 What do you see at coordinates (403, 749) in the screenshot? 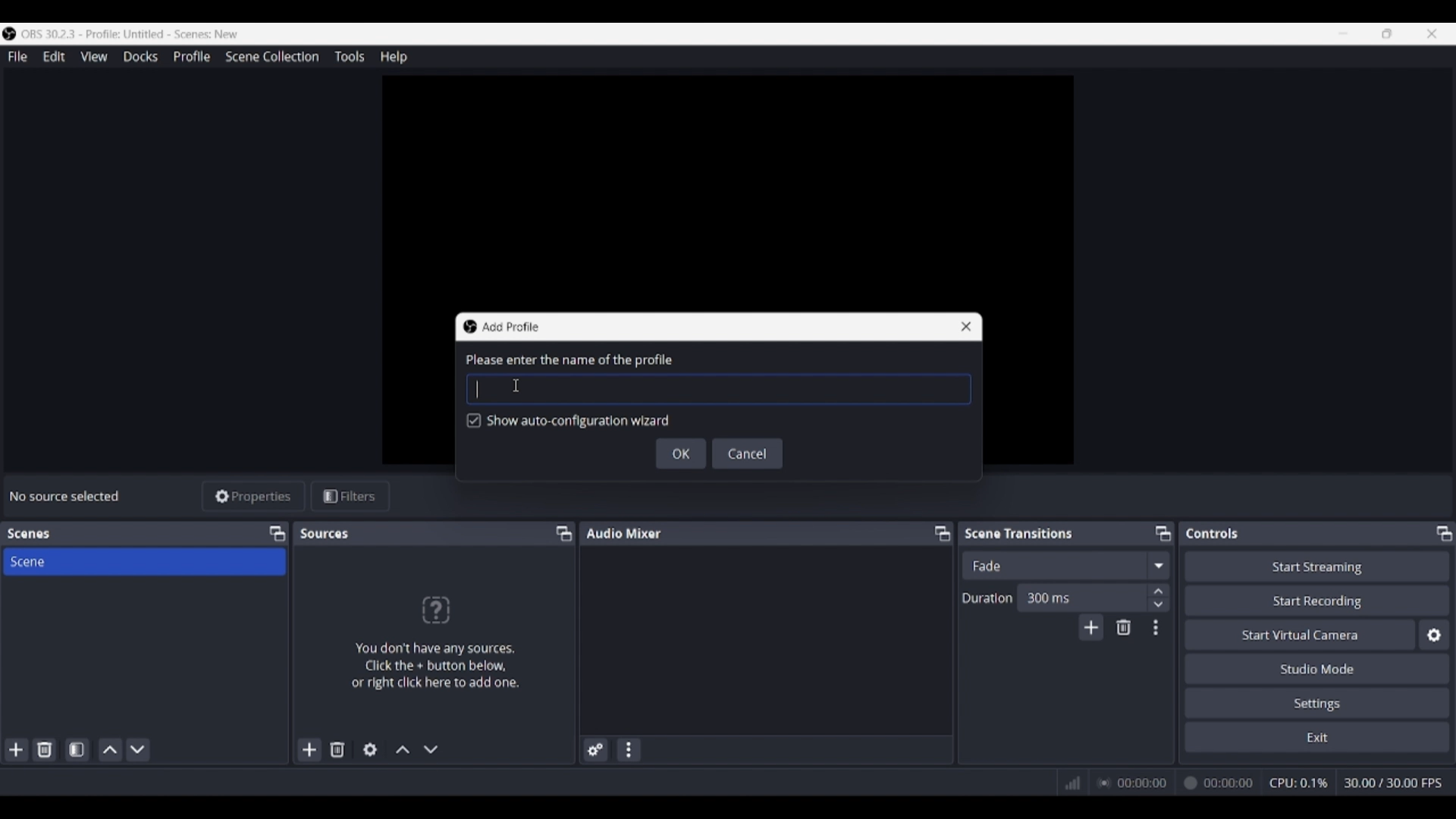
I see `Move source up` at bounding box center [403, 749].